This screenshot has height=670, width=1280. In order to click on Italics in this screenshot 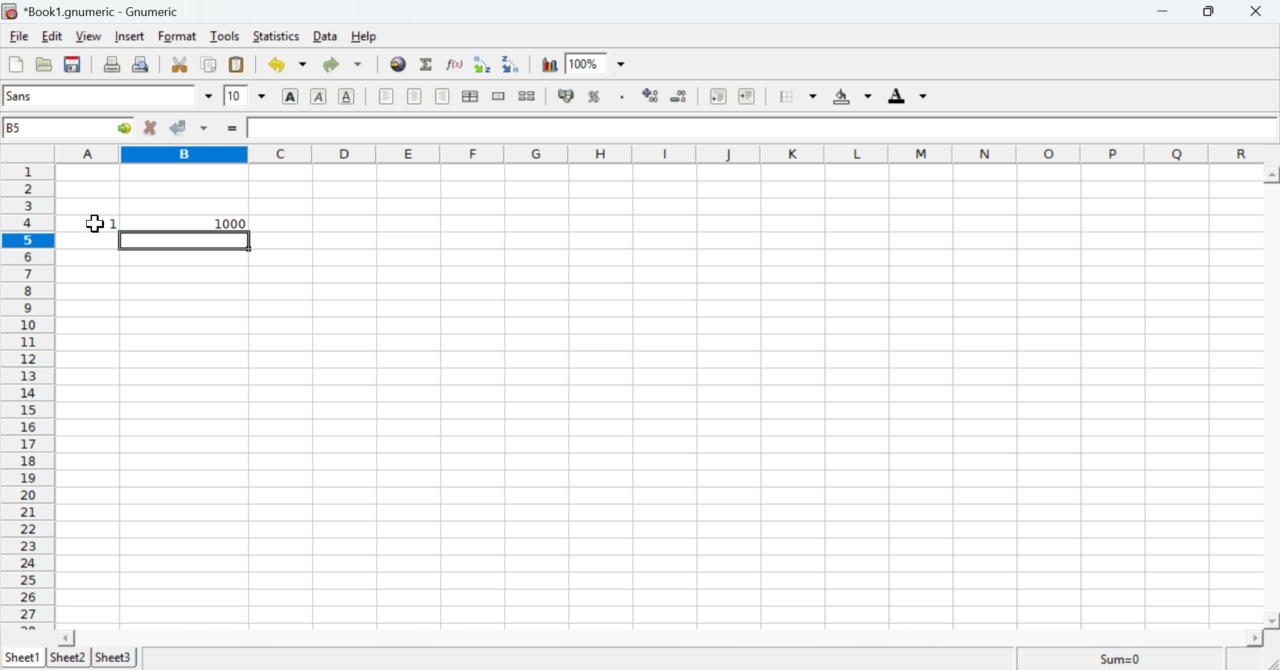, I will do `click(320, 97)`.